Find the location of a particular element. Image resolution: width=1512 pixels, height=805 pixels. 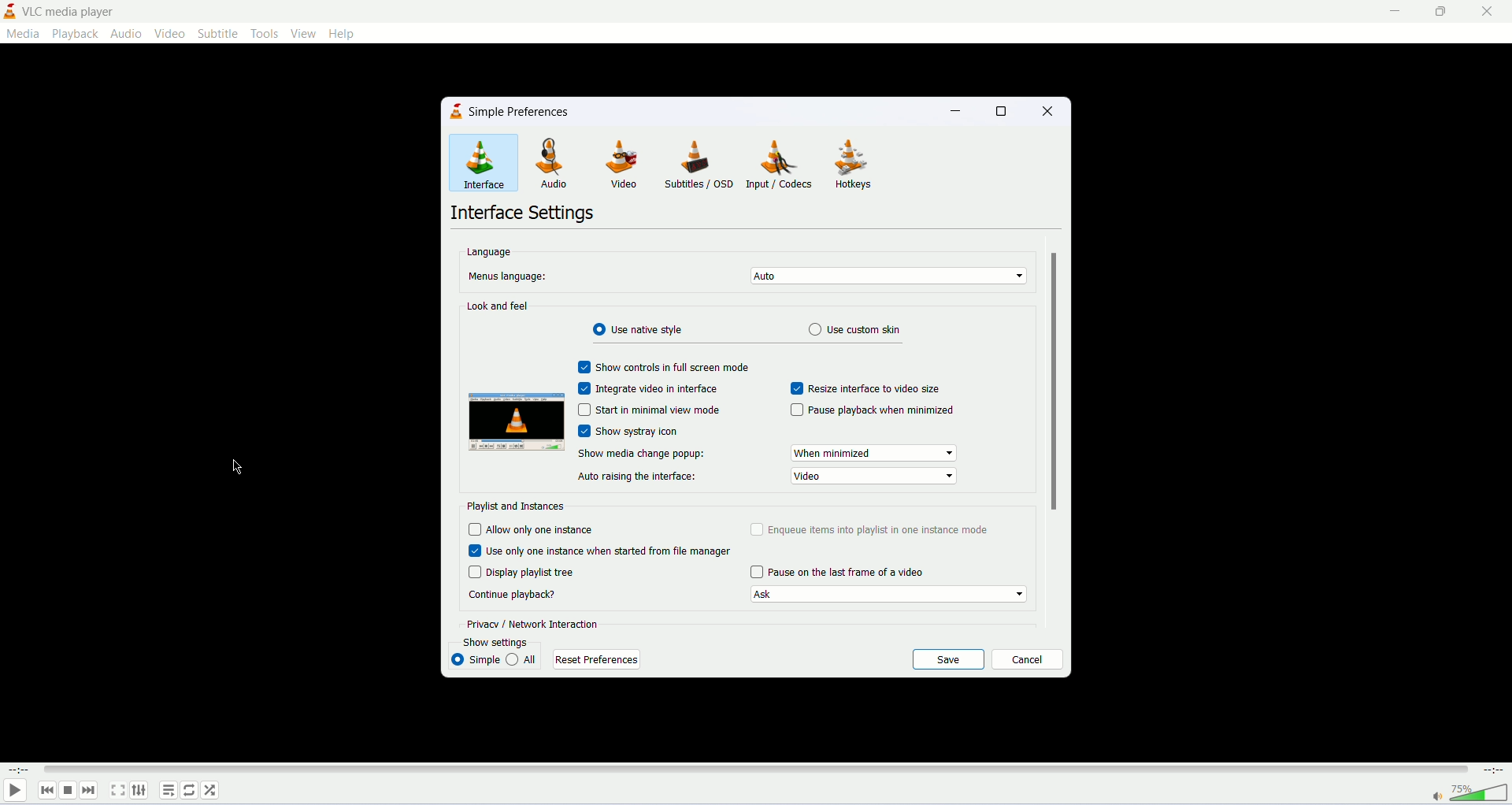

language is located at coordinates (495, 251).